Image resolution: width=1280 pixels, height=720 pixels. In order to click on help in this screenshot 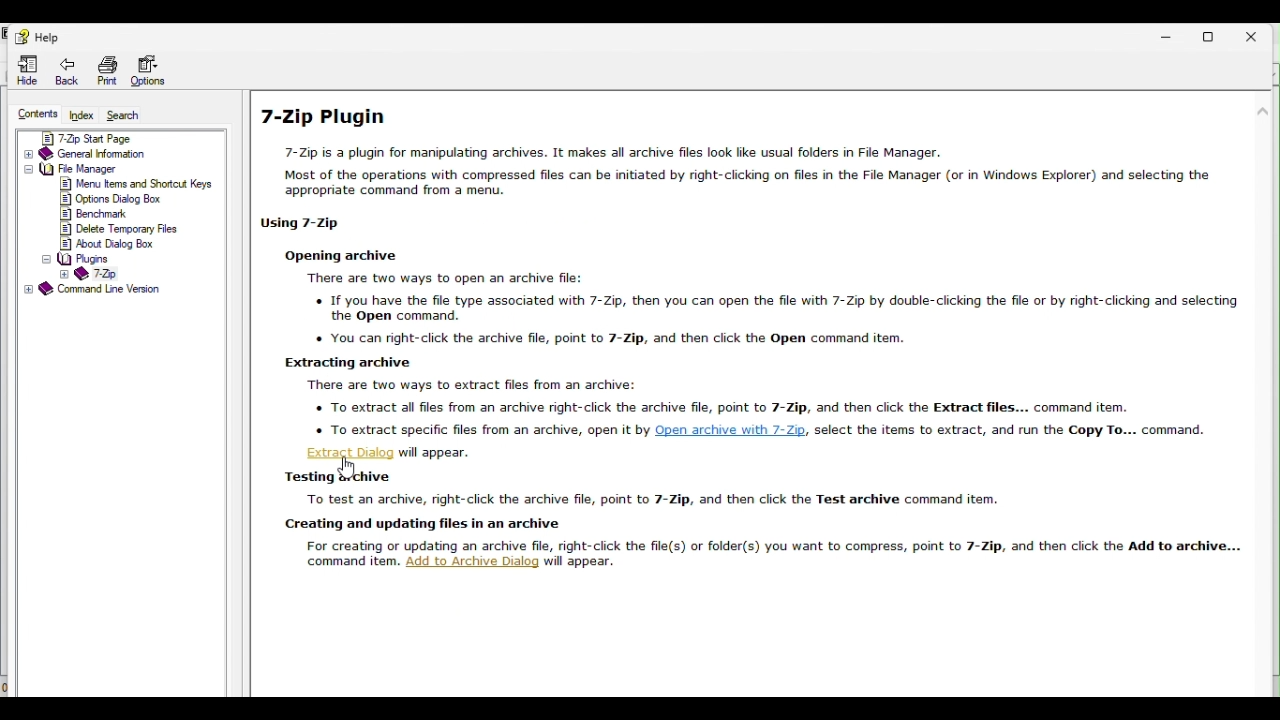, I will do `click(35, 36)`.